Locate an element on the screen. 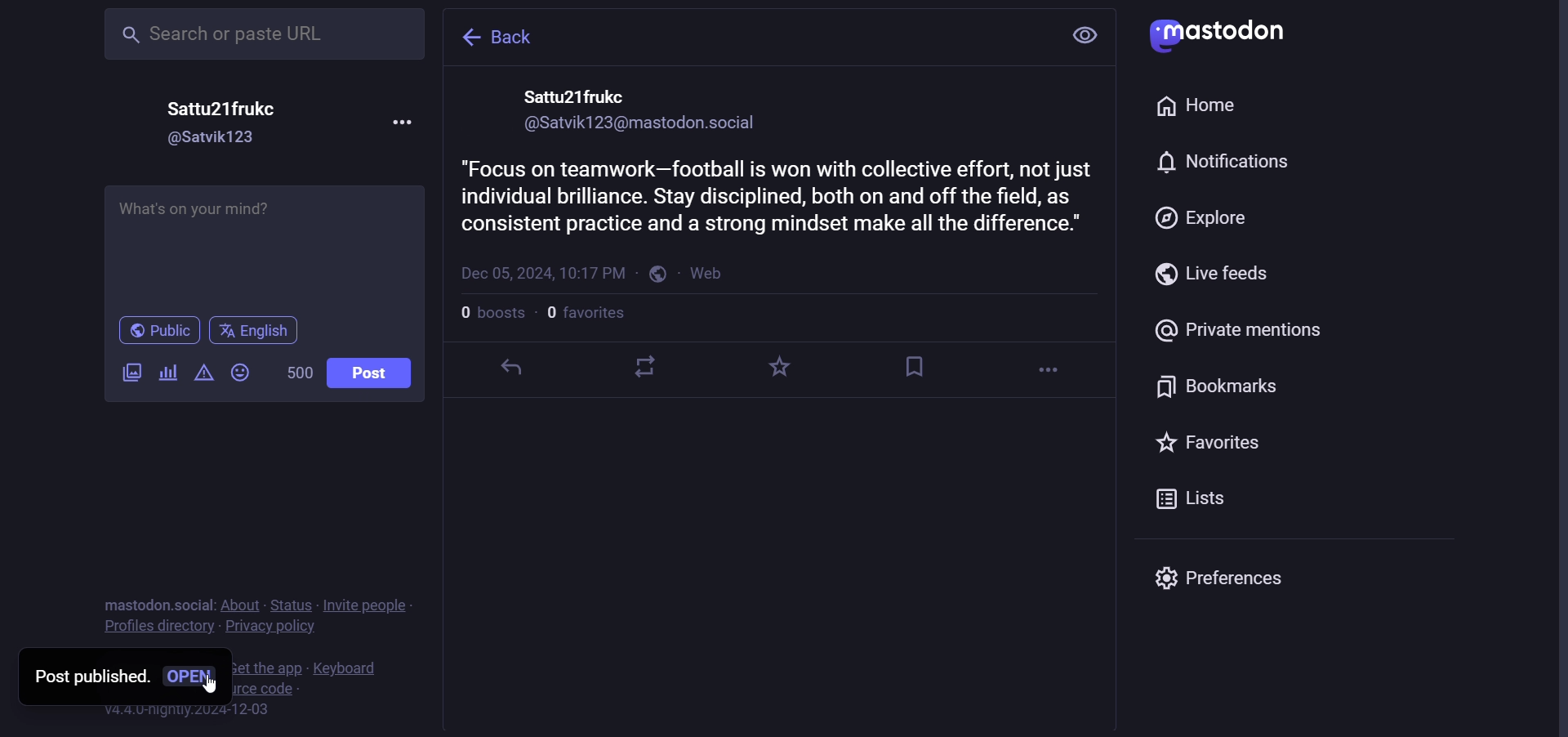 The image size is (1568, 737). bookmark is located at coordinates (914, 365).